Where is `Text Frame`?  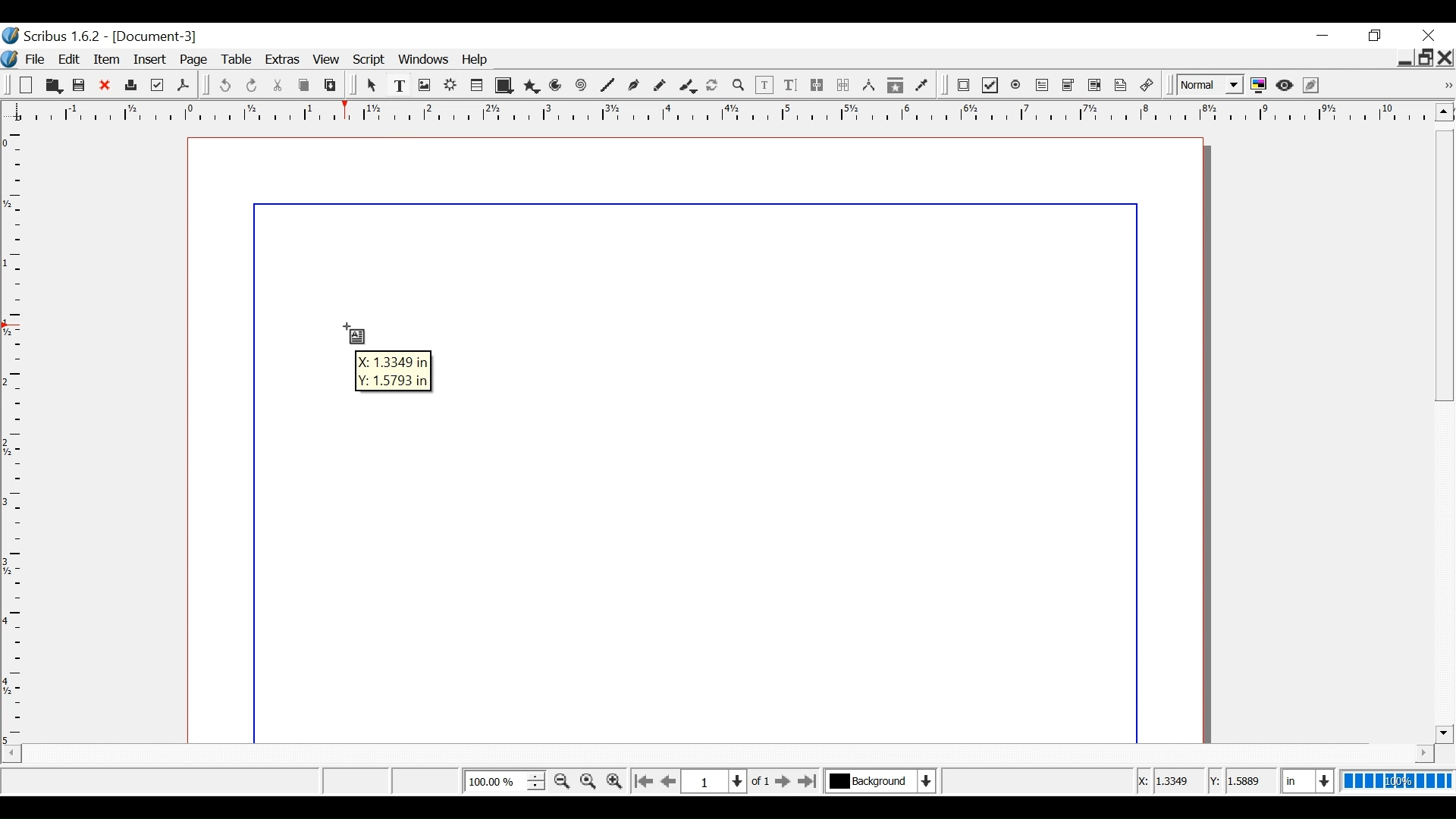 Text Frame is located at coordinates (358, 337).